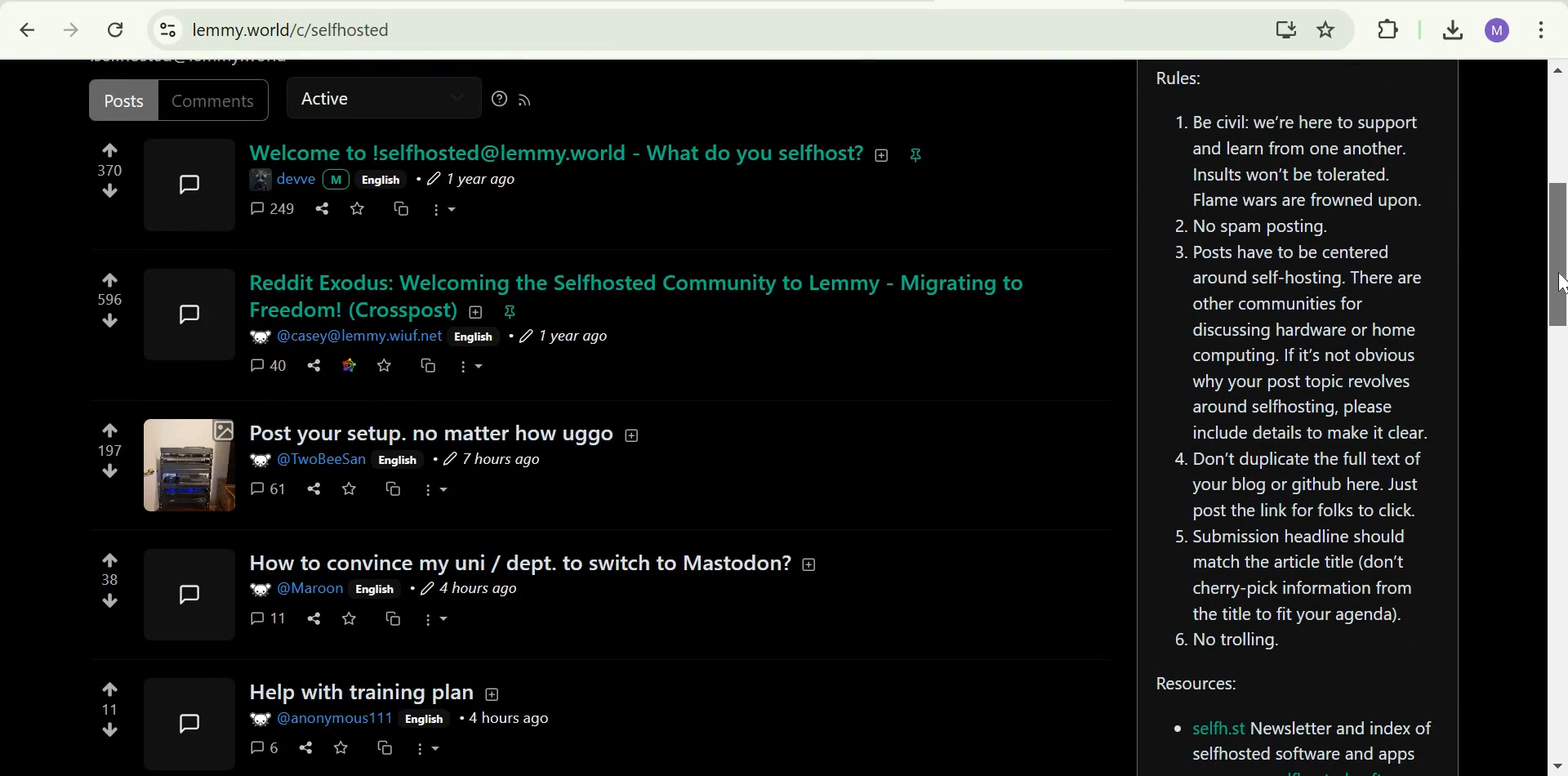  Describe the element at coordinates (350, 619) in the screenshot. I see `save` at that location.